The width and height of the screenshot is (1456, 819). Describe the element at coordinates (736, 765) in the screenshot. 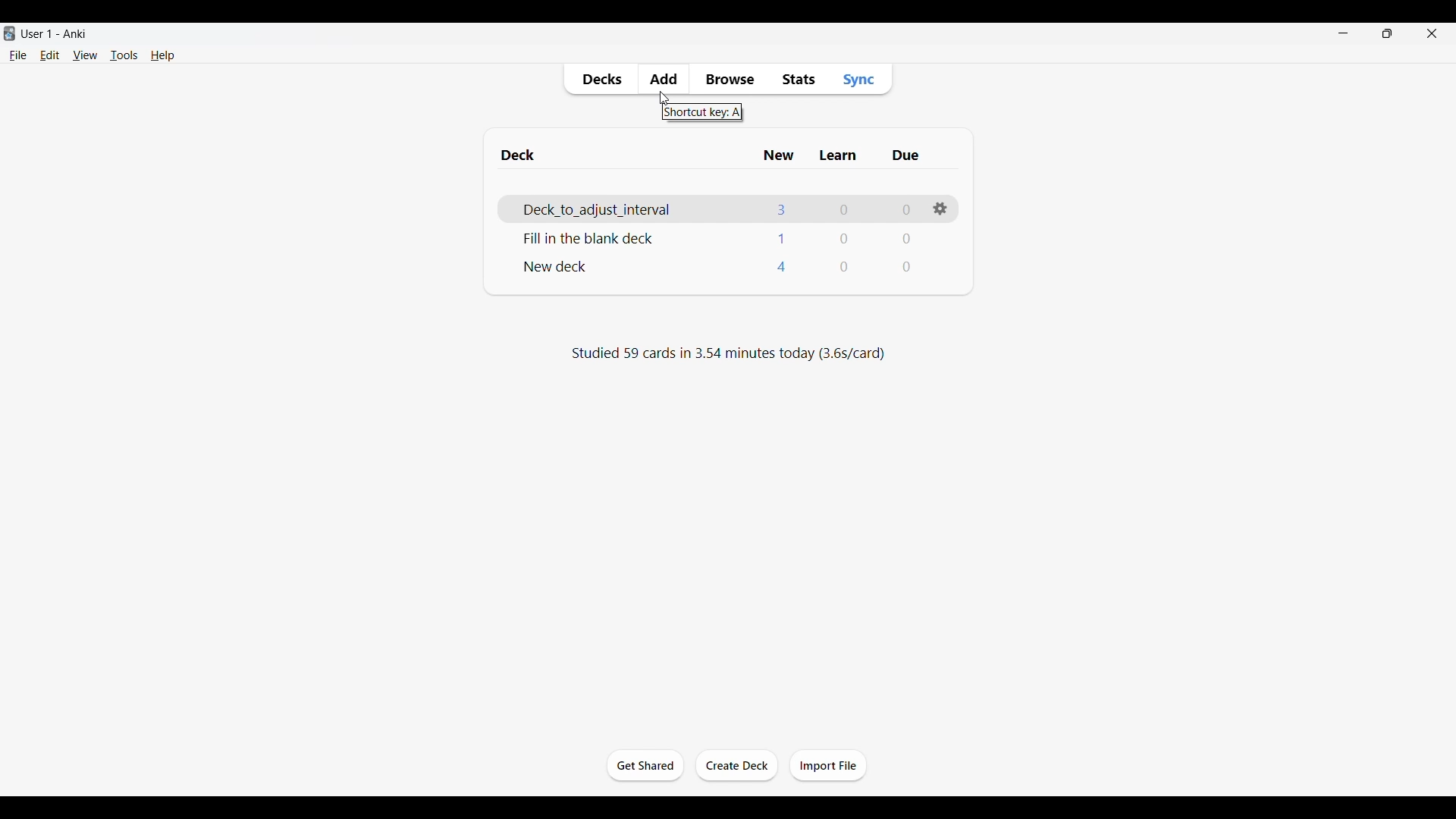

I see `Create deck` at that location.